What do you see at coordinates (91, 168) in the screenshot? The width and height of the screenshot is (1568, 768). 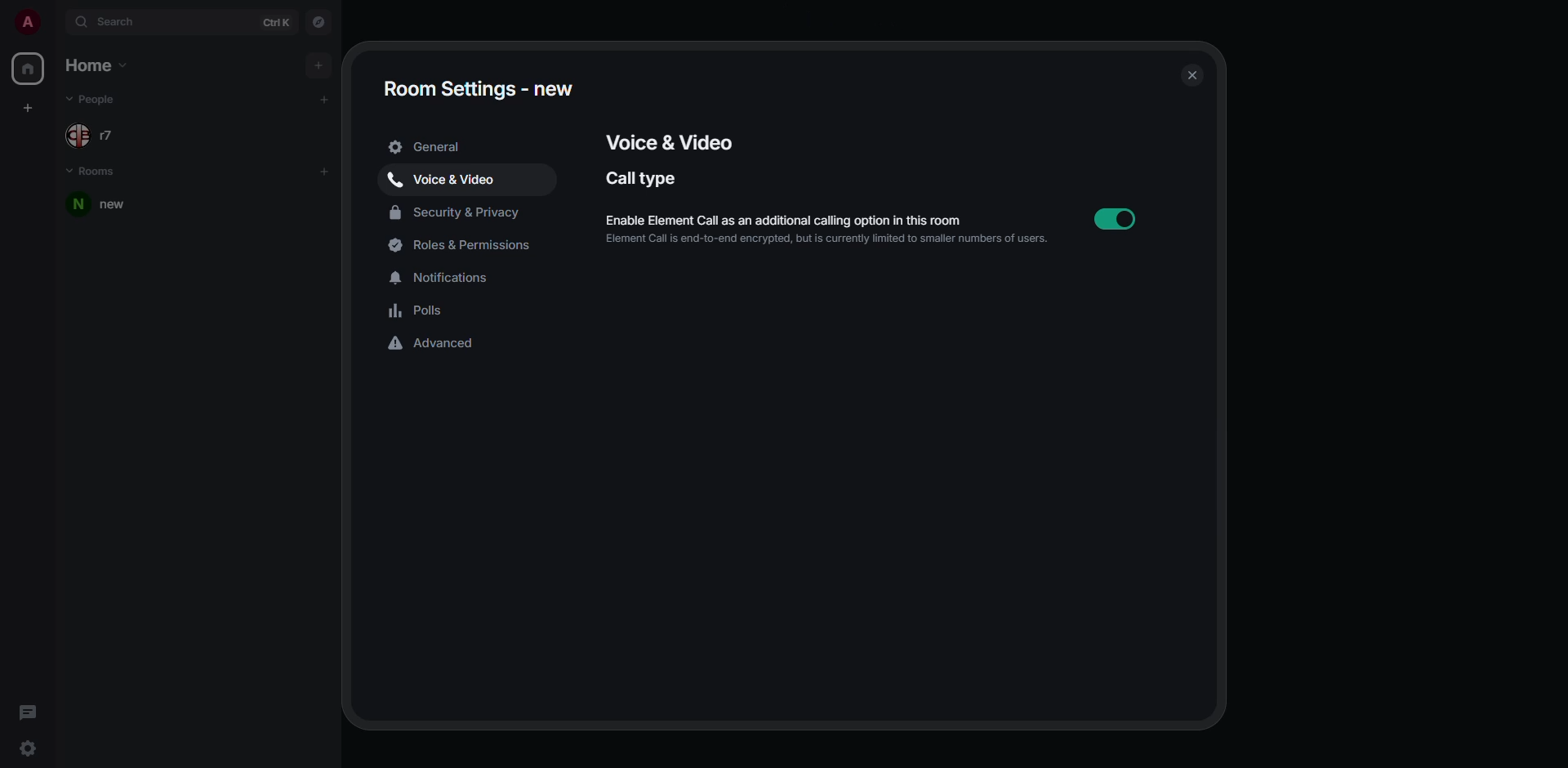 I see `rooms` at bounding box center [91, 168].